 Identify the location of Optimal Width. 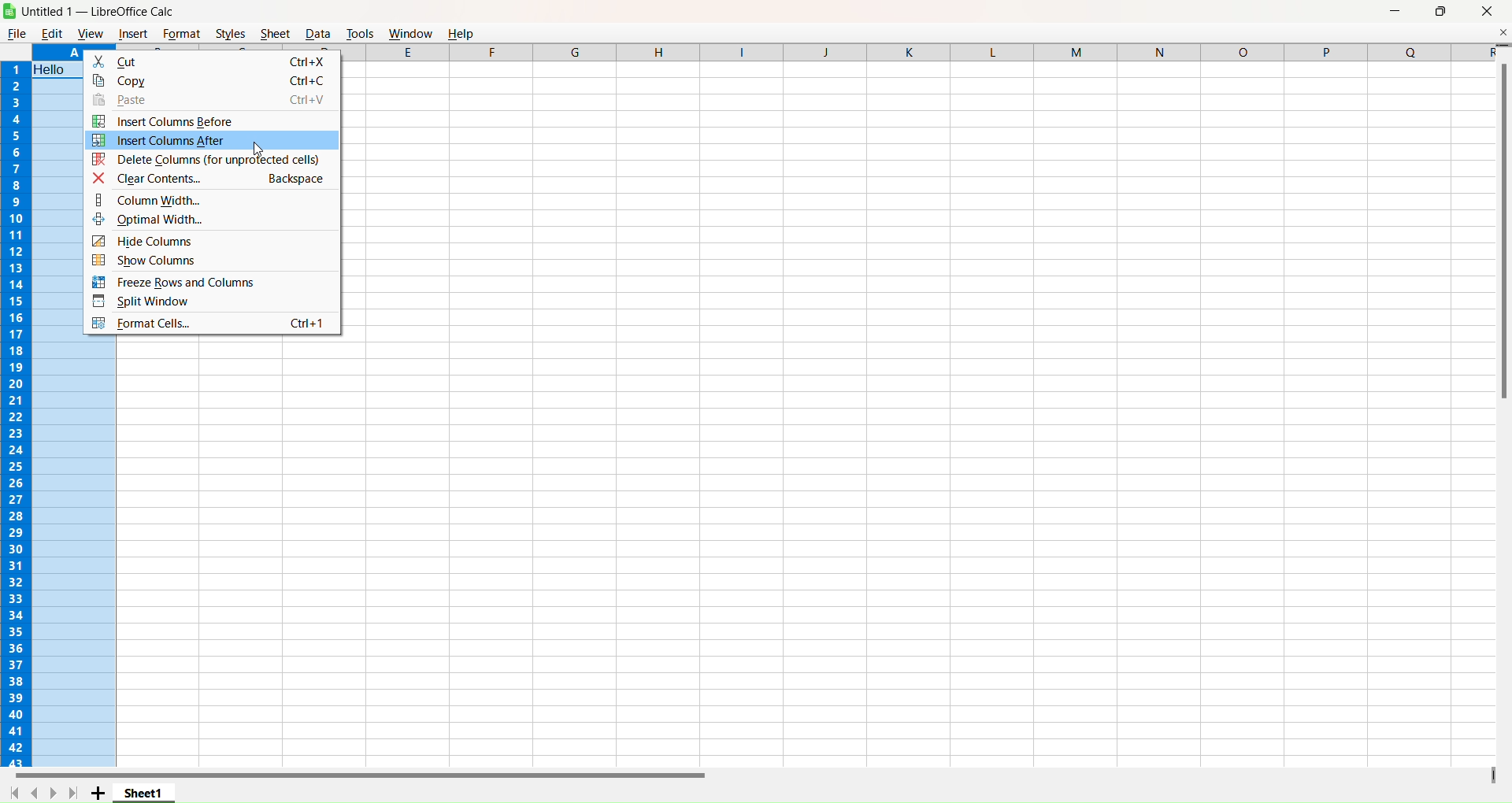
(217, 222).